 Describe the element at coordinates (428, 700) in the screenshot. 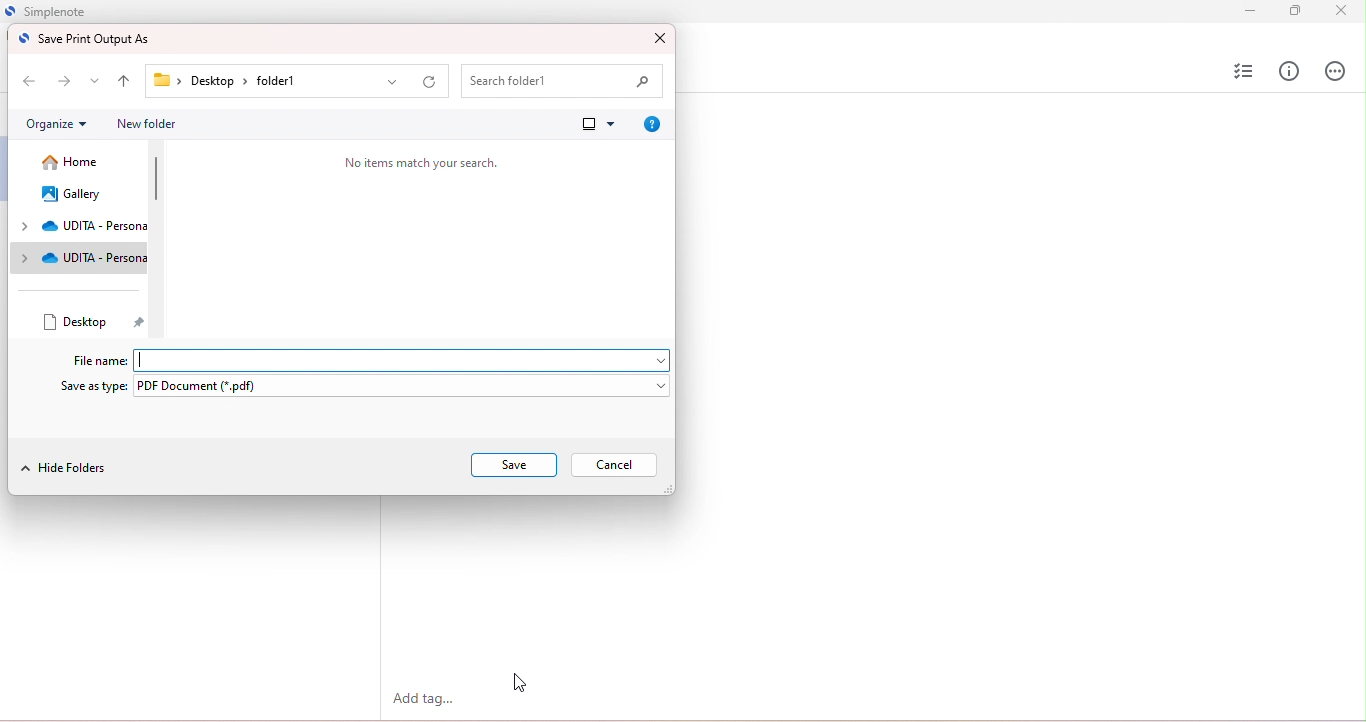

I see `add tag` at that location.